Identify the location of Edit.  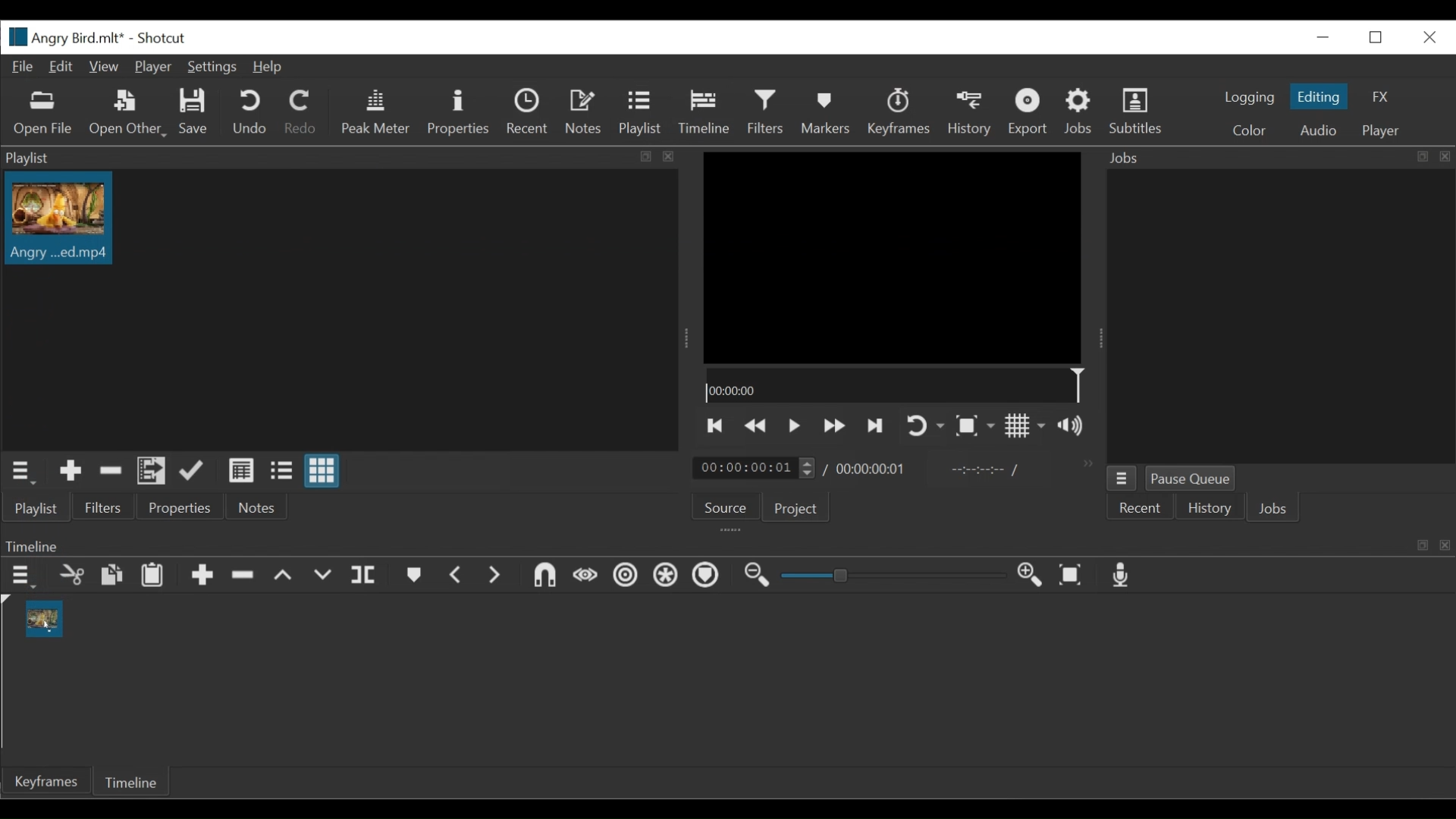
(61, 67).